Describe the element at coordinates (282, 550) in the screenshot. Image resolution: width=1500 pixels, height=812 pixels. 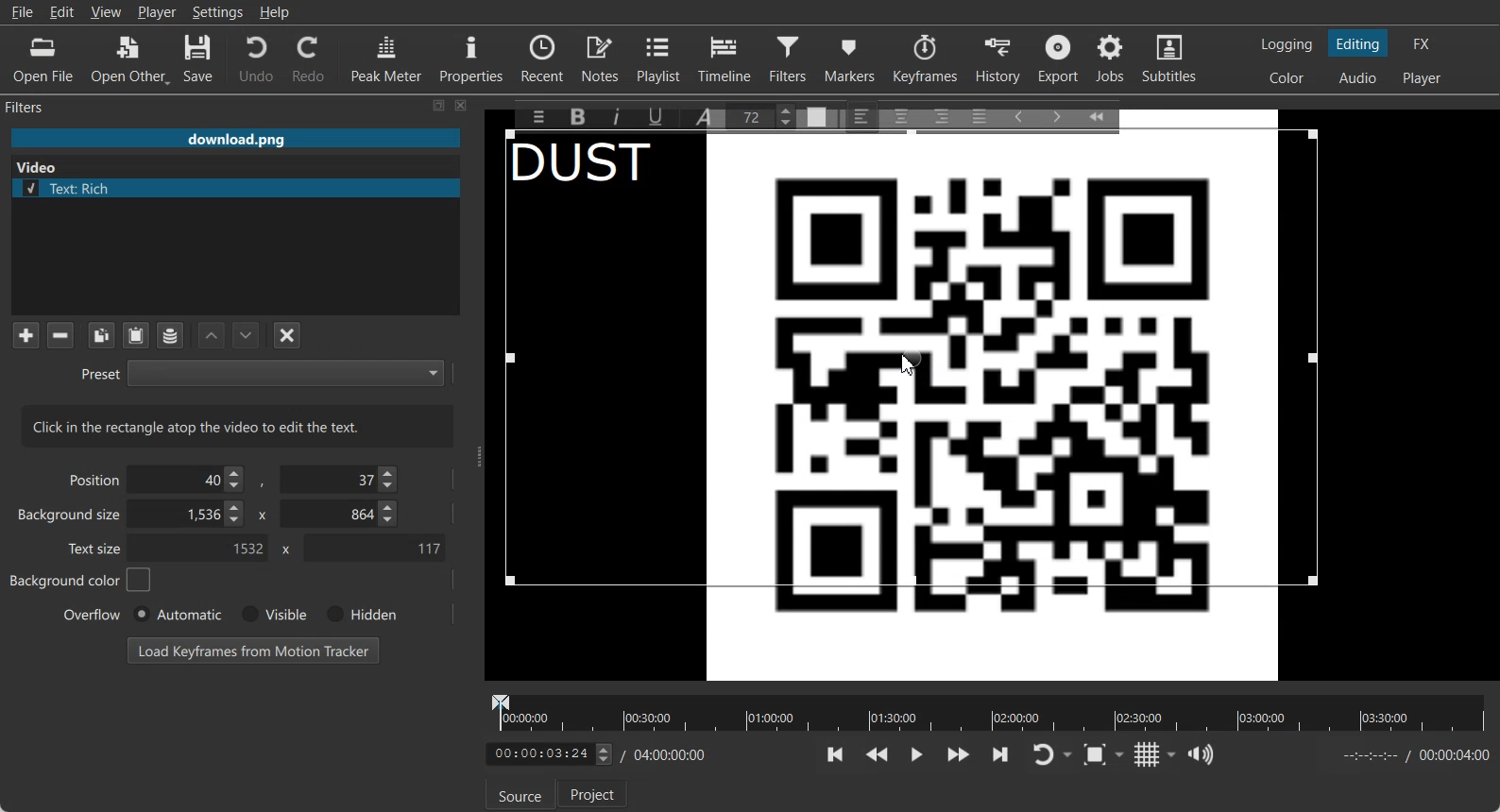
I see `x` at that location.